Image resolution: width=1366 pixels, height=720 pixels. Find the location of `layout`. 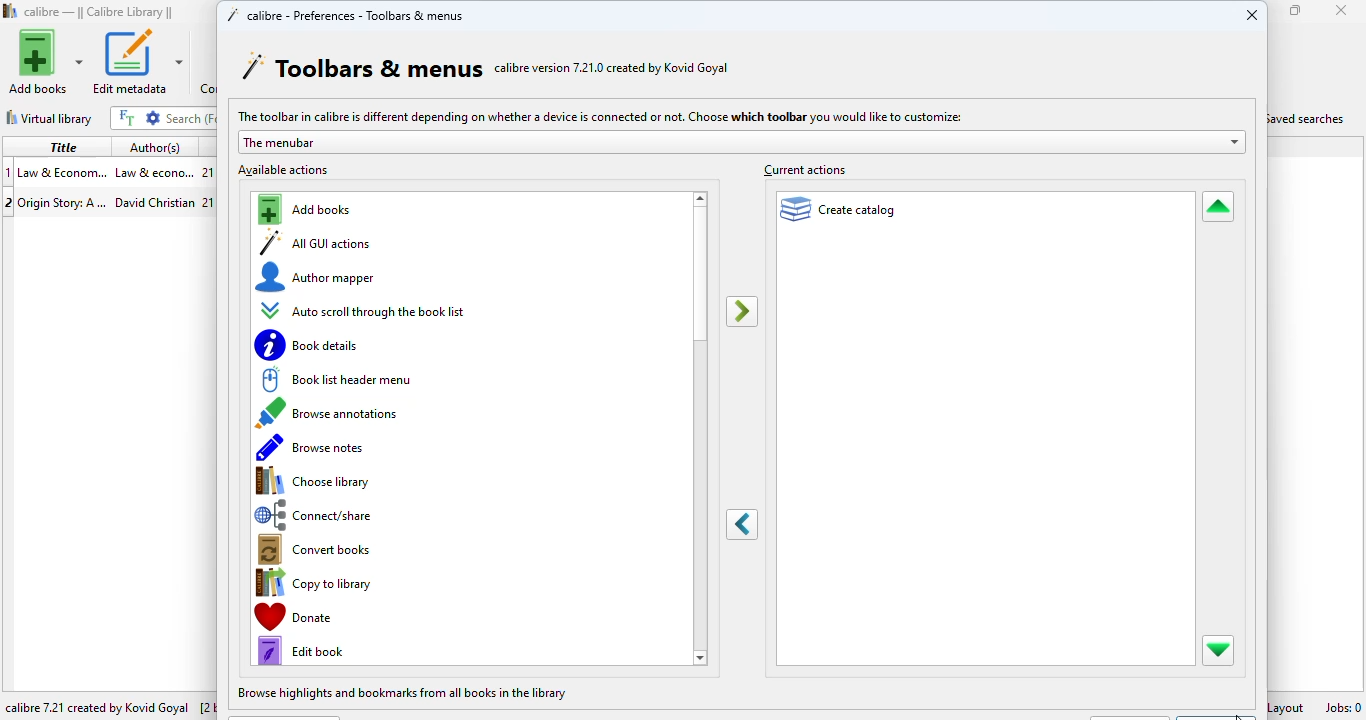

layout is located at coordinates (1289, 706).